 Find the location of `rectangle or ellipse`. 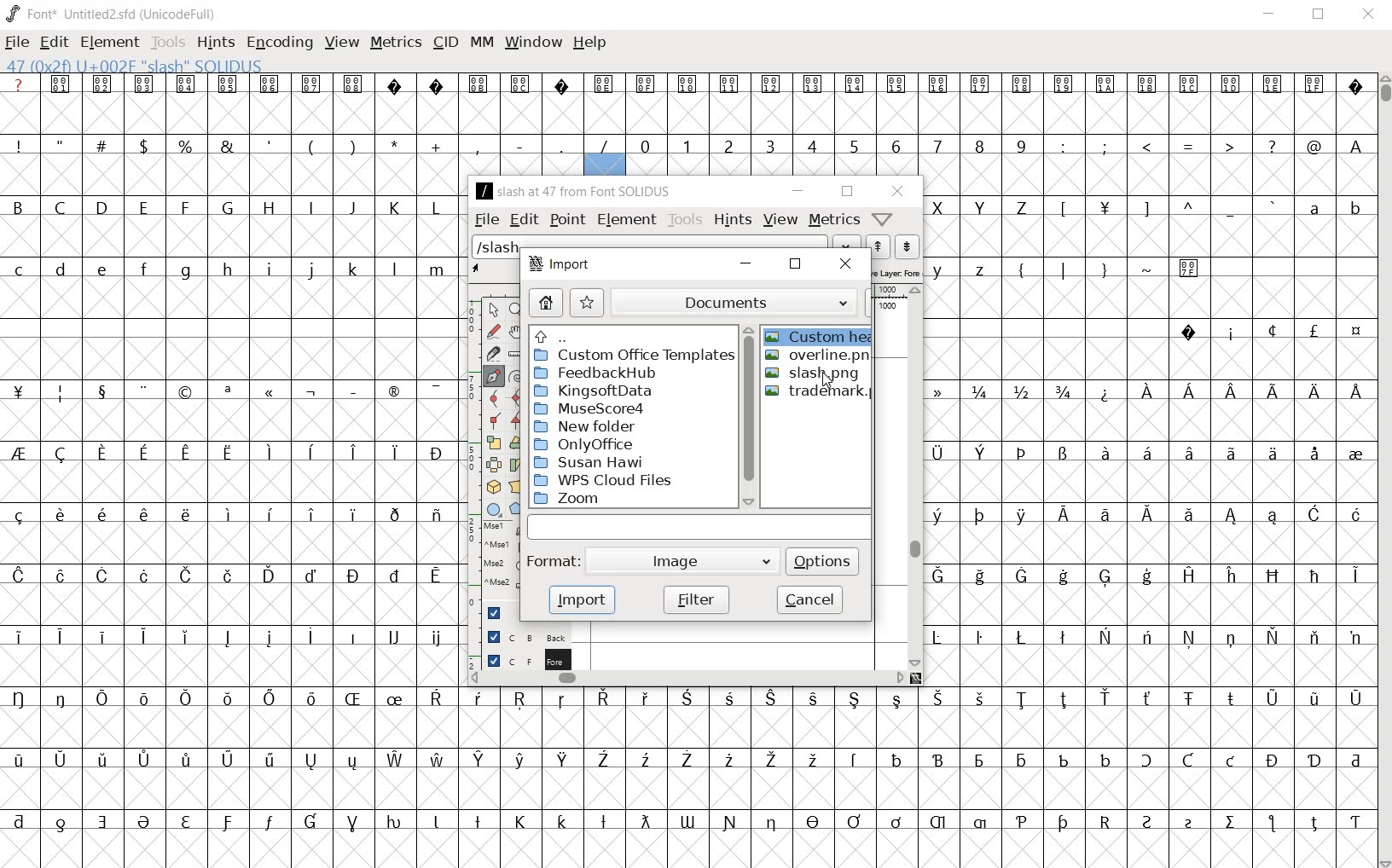

rectangle or ellipse is located at coordinates (493, 511).